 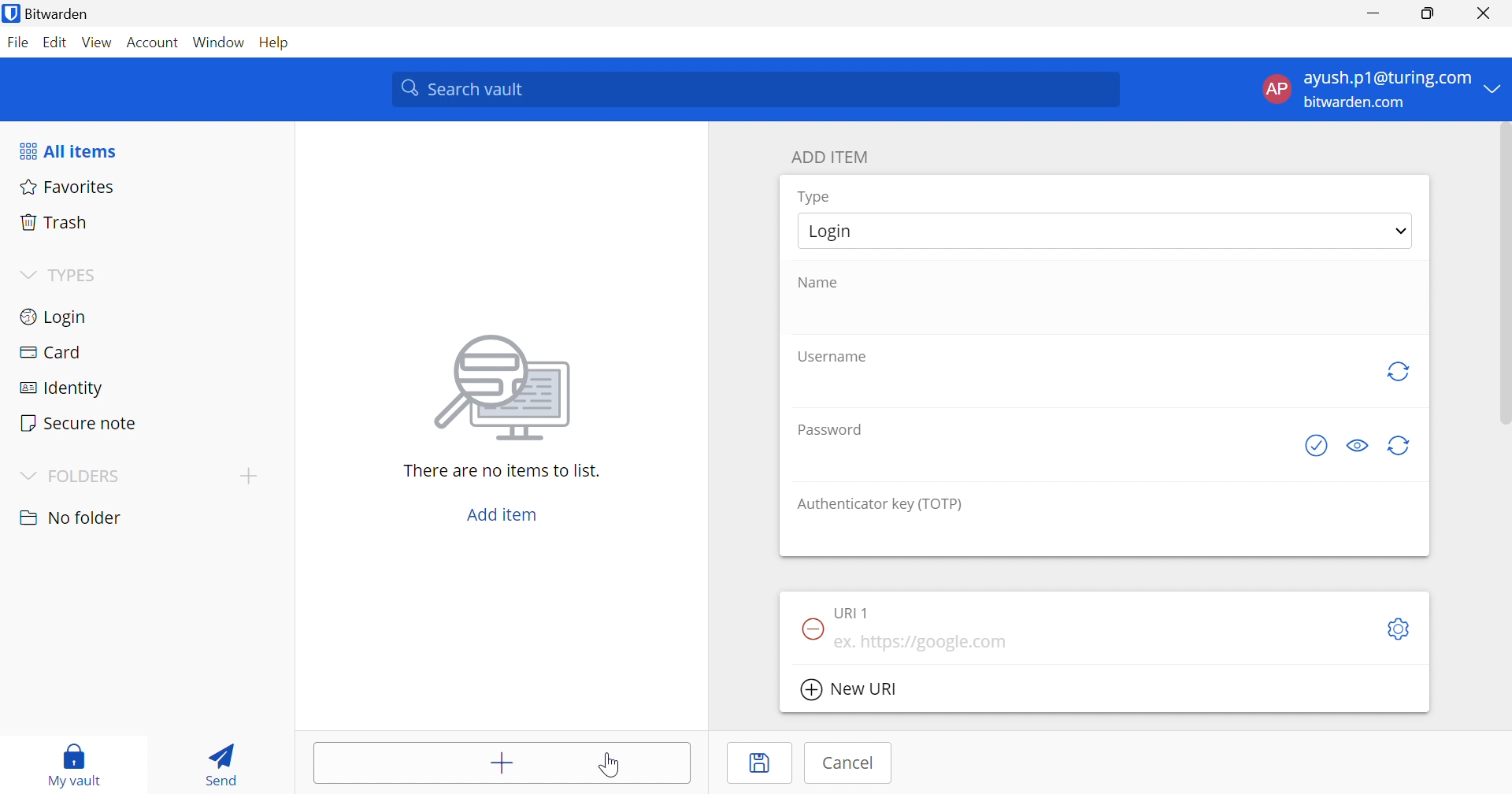 I want to click on scrollbar, so click(x=1502, y=282).